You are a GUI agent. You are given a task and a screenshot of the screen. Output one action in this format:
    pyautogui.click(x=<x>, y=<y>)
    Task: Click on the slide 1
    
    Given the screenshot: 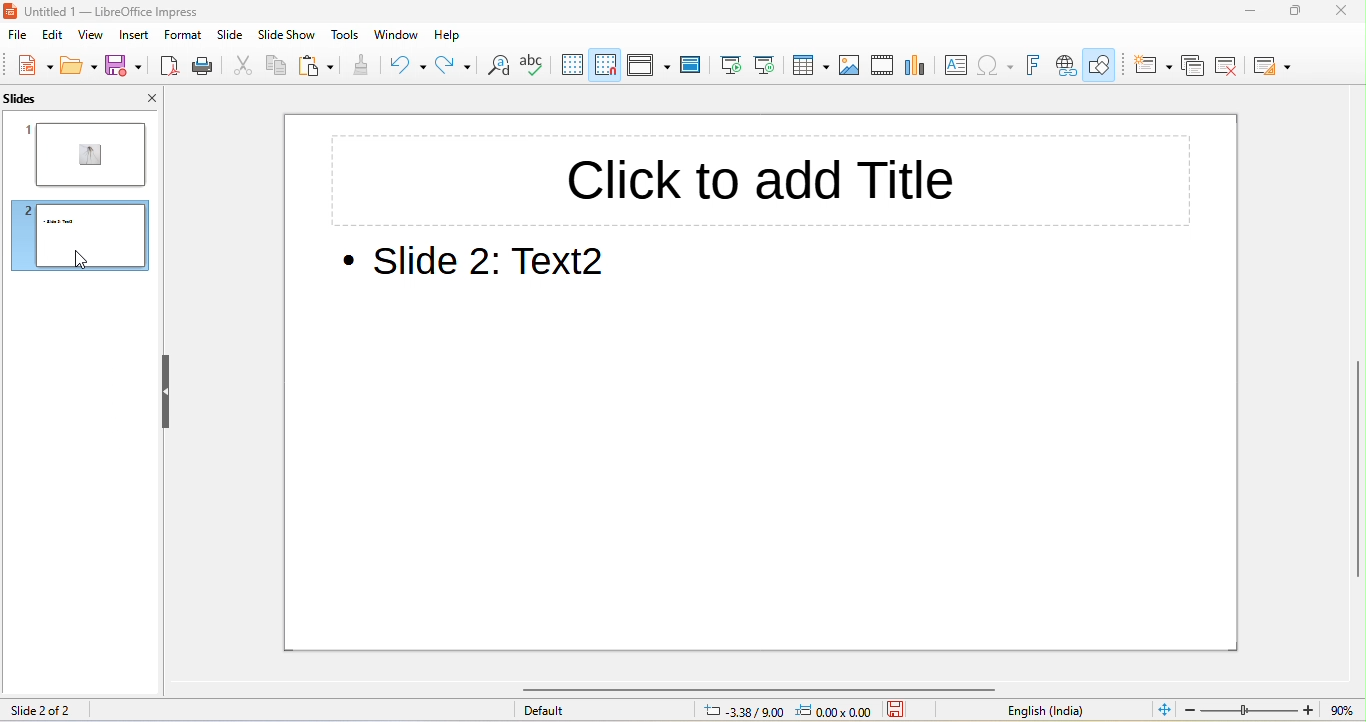 What is the action you would take?
    pyautogui.click(x=86, y=153)
    